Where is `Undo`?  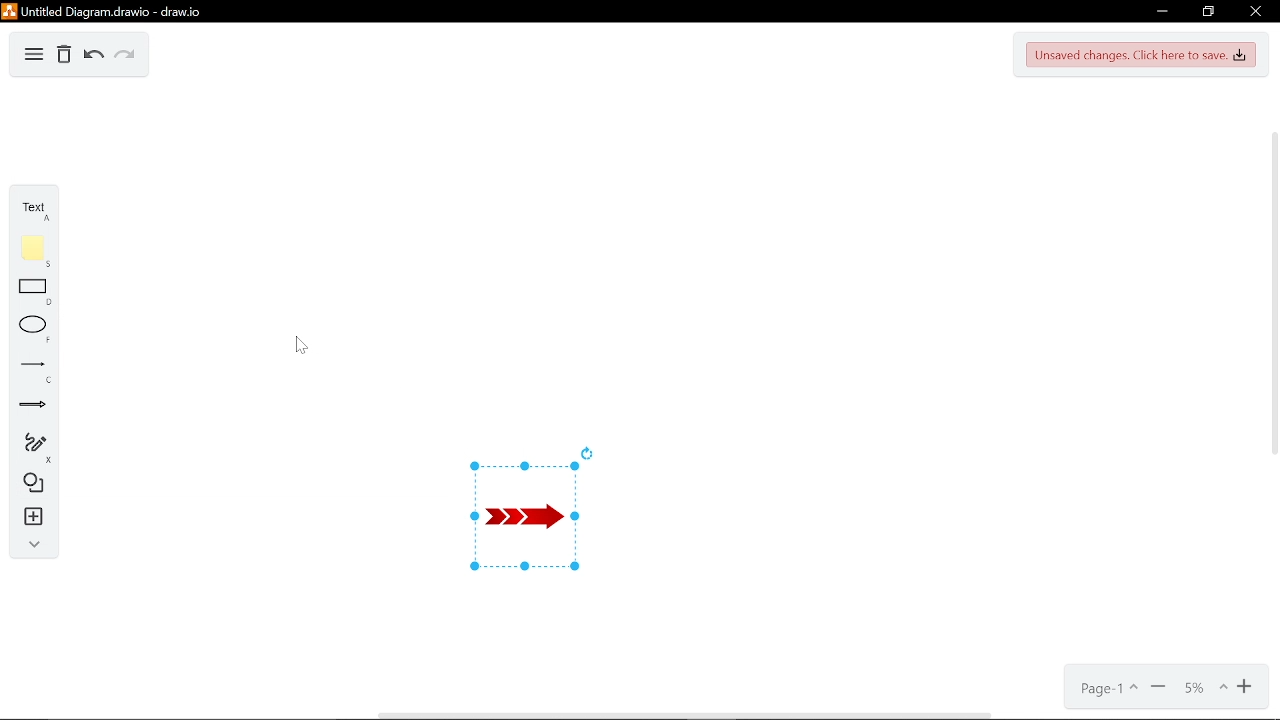 Undo is located at coordinates (92, 56).